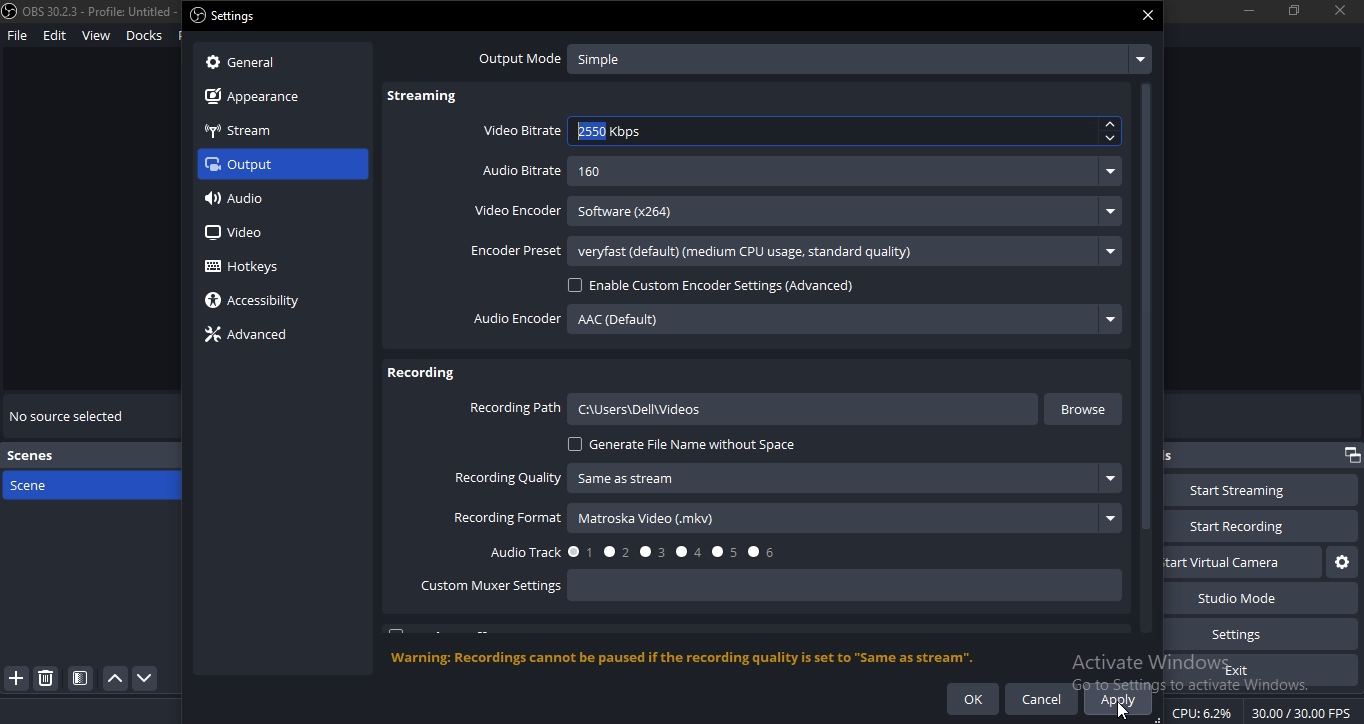 Image resolution: width=1364 pixels, height=724 pixels. I want to click on recording path, so click(515, 408).